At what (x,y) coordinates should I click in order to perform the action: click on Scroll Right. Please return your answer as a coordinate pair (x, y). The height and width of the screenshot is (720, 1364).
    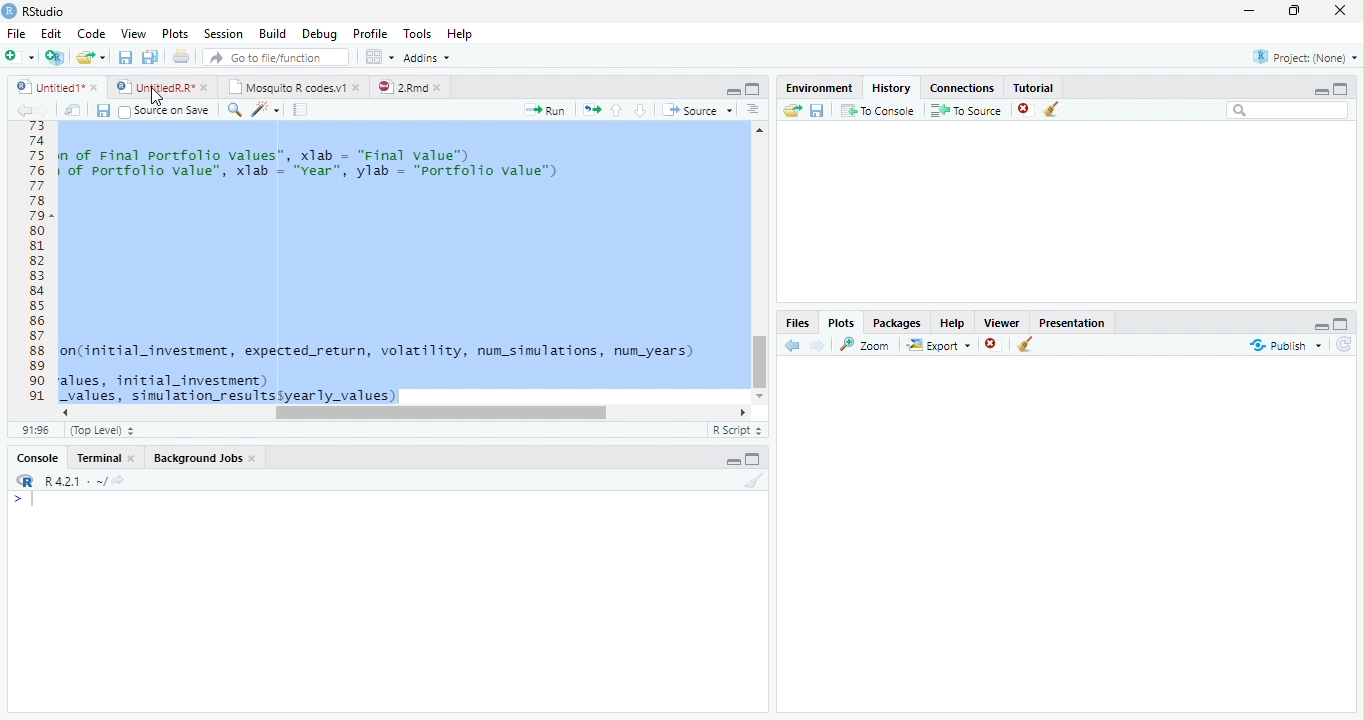
    Looking at the image, I should click on (743, 411).